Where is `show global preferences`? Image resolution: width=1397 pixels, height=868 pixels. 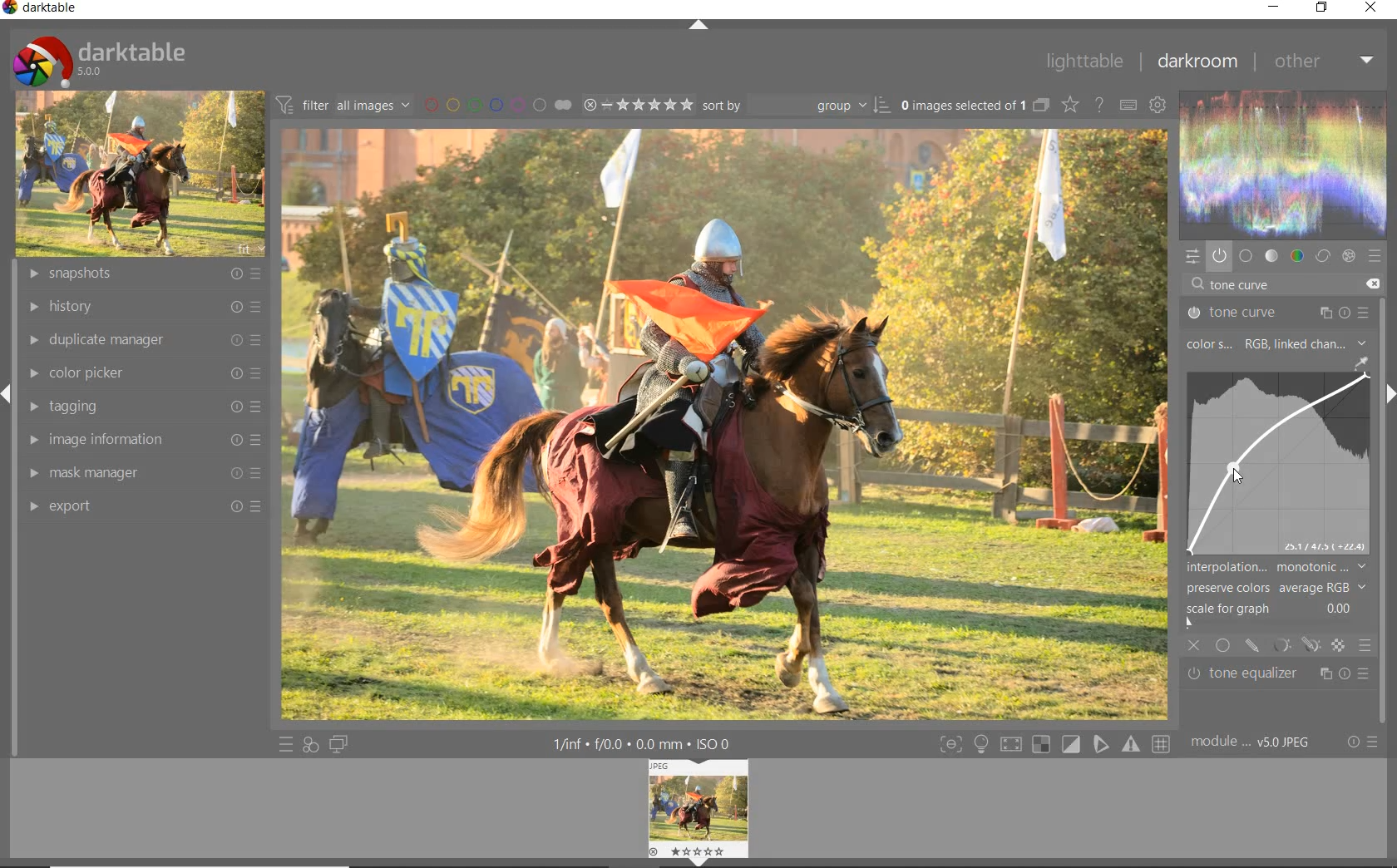
show global preferences is located at coordinates (1157, 106).